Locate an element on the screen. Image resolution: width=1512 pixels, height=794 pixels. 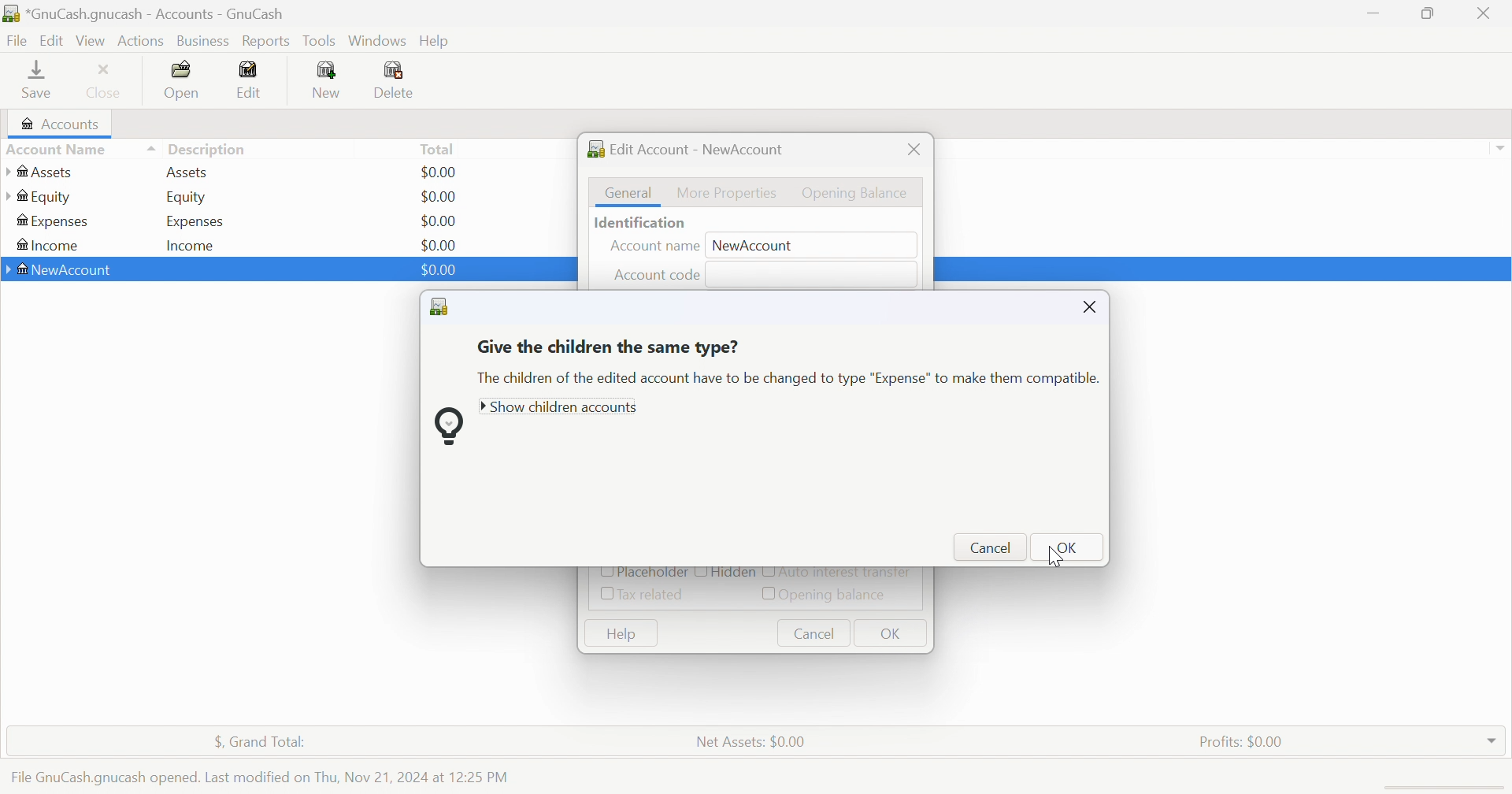
Close is located at coordinates (105, 80).